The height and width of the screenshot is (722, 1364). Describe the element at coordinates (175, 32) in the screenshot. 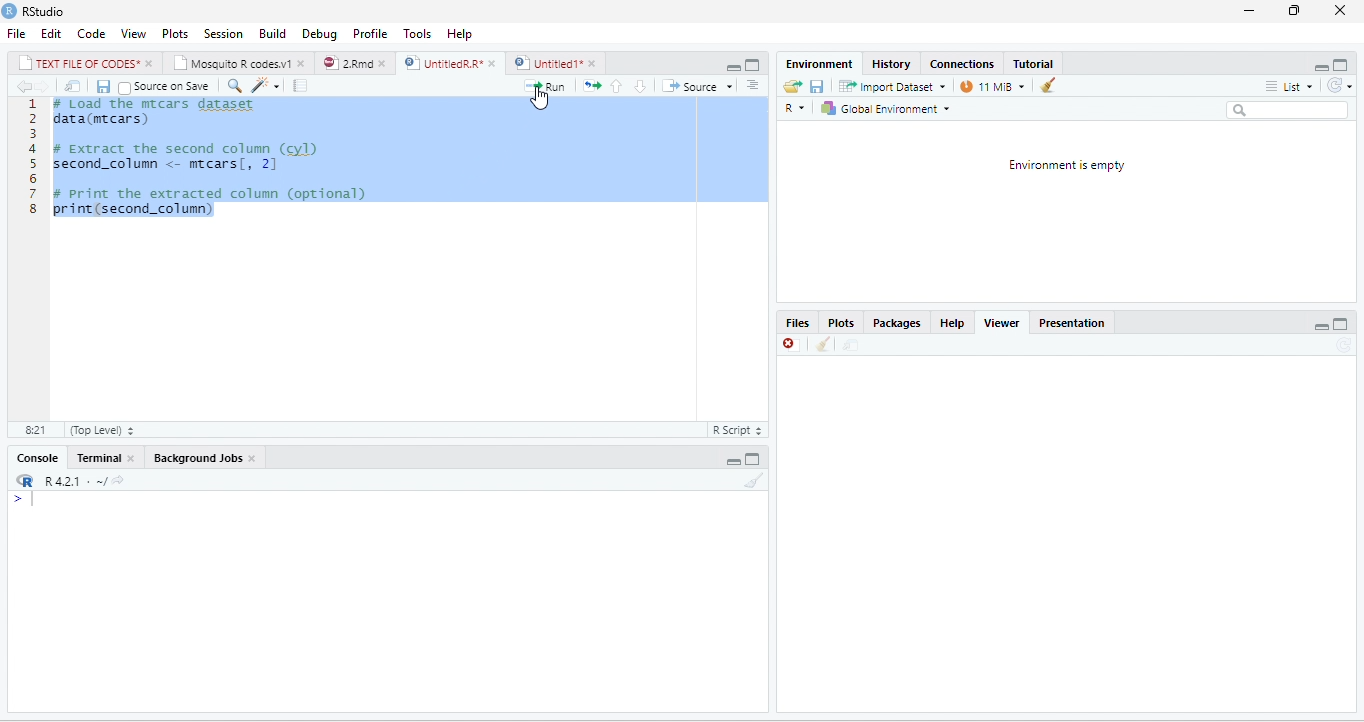

I see `Plots` at that location.